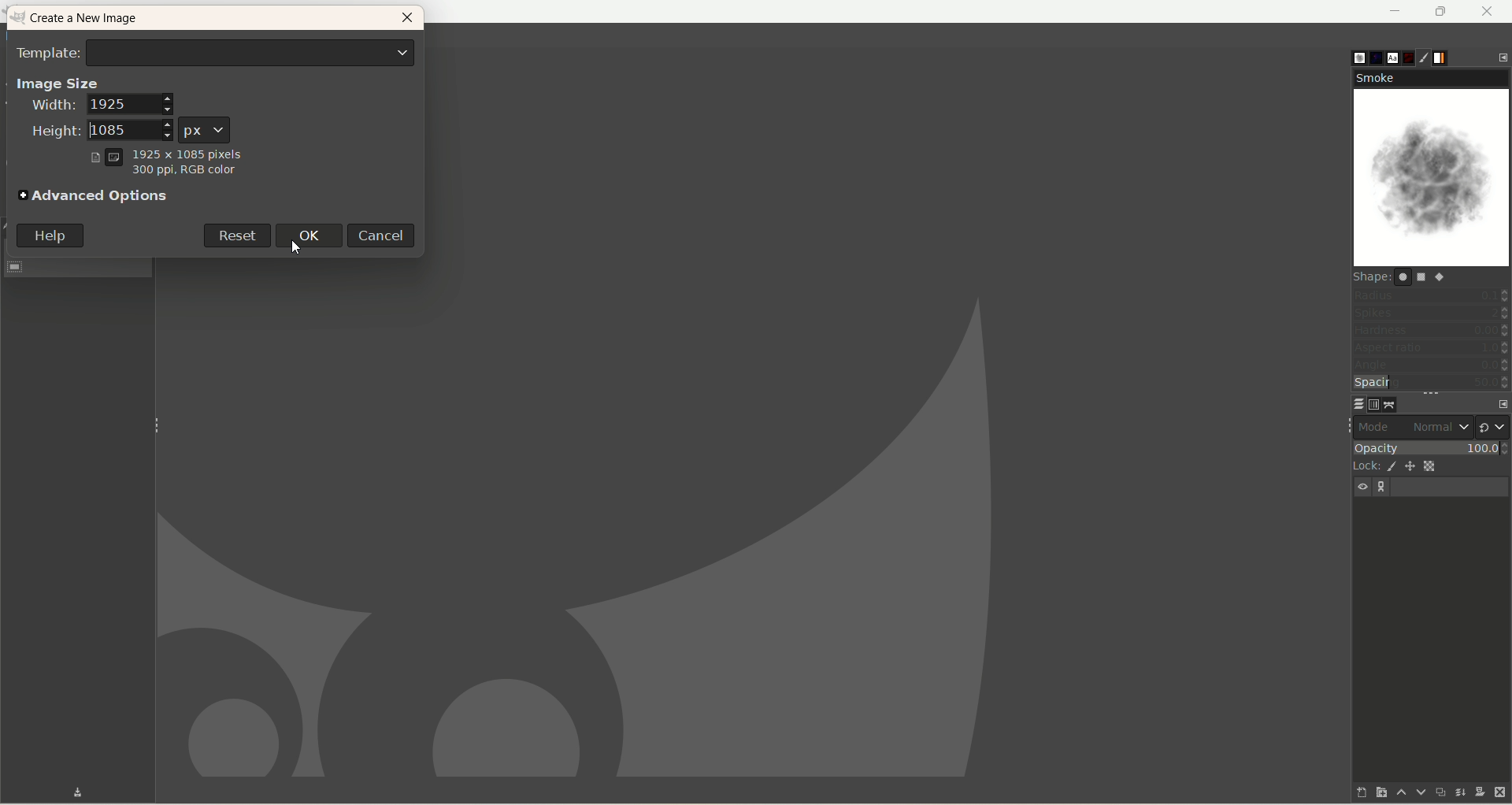 This screenshot has height=805, width=1512. Describe the element at coordinates (217, 51) in the screenshot. I see `template` at that location.